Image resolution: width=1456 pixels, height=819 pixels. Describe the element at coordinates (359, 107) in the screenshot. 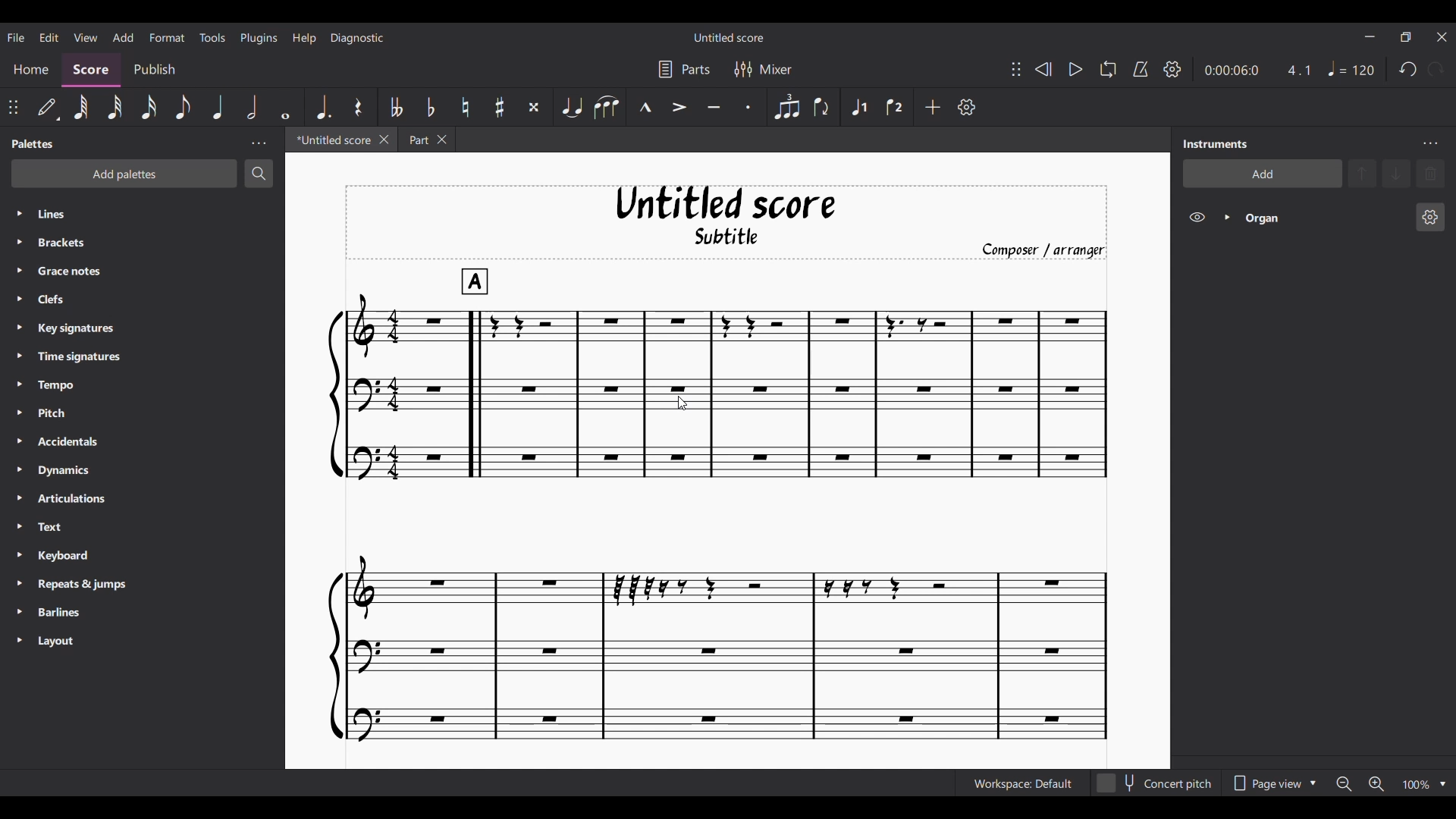

I see `Rest` at that location.